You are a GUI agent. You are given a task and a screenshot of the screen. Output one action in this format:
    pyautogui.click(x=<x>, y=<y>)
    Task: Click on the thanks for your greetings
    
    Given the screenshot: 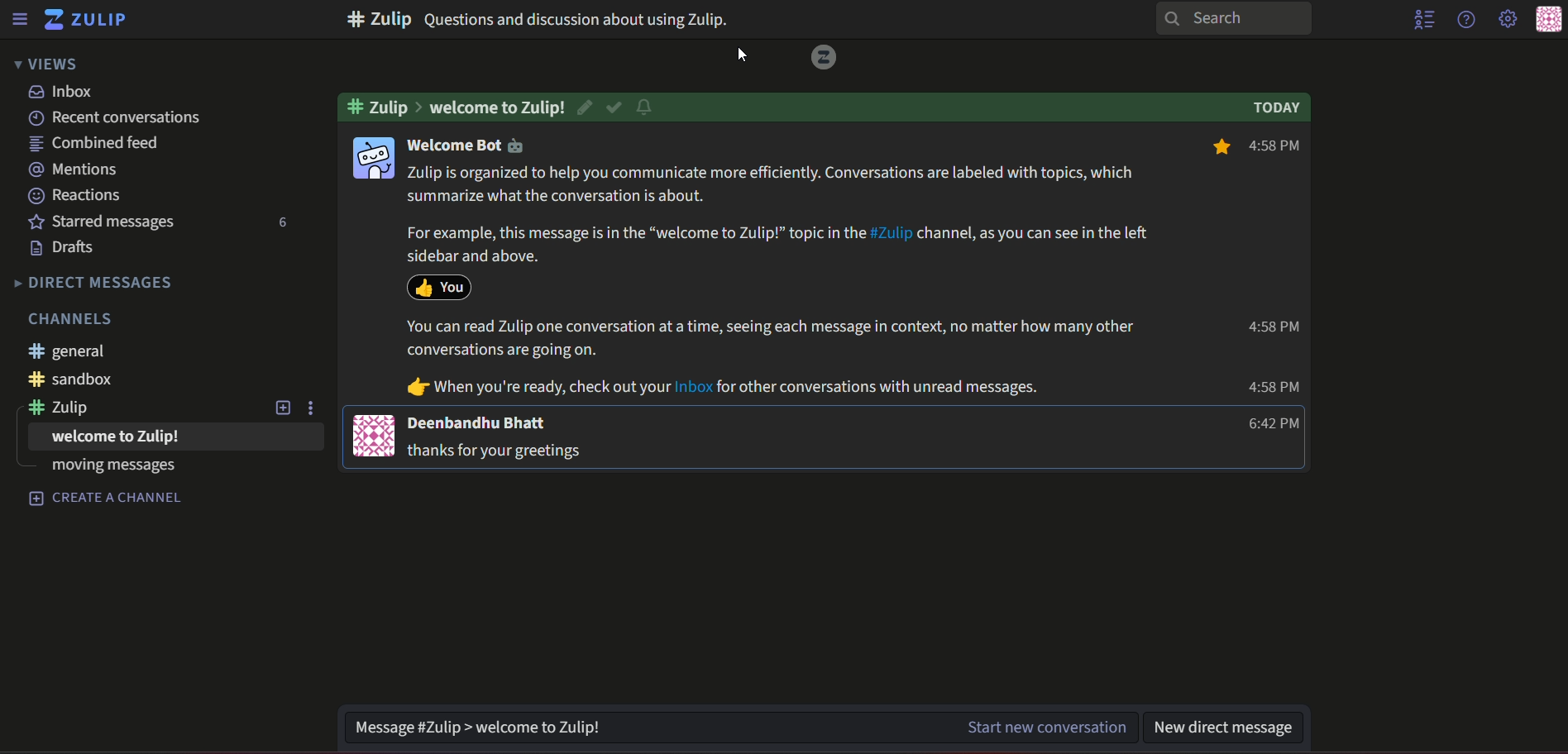 What is the action you would take?
    pyautogui.click(x=495, y=452)
    